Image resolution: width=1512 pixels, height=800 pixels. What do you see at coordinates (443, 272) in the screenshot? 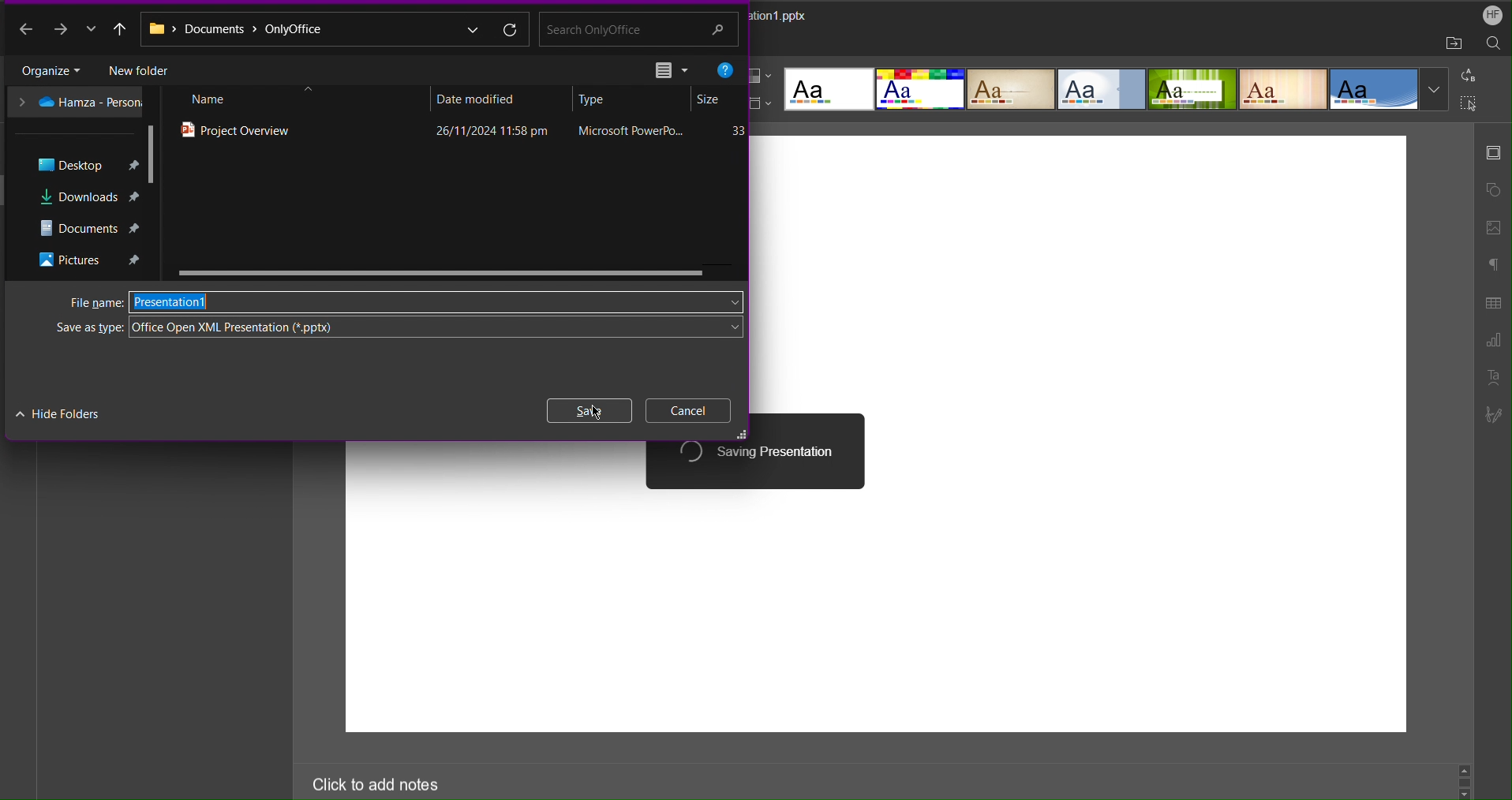
I see `Scrollbar` at bounding box center [443, 272].